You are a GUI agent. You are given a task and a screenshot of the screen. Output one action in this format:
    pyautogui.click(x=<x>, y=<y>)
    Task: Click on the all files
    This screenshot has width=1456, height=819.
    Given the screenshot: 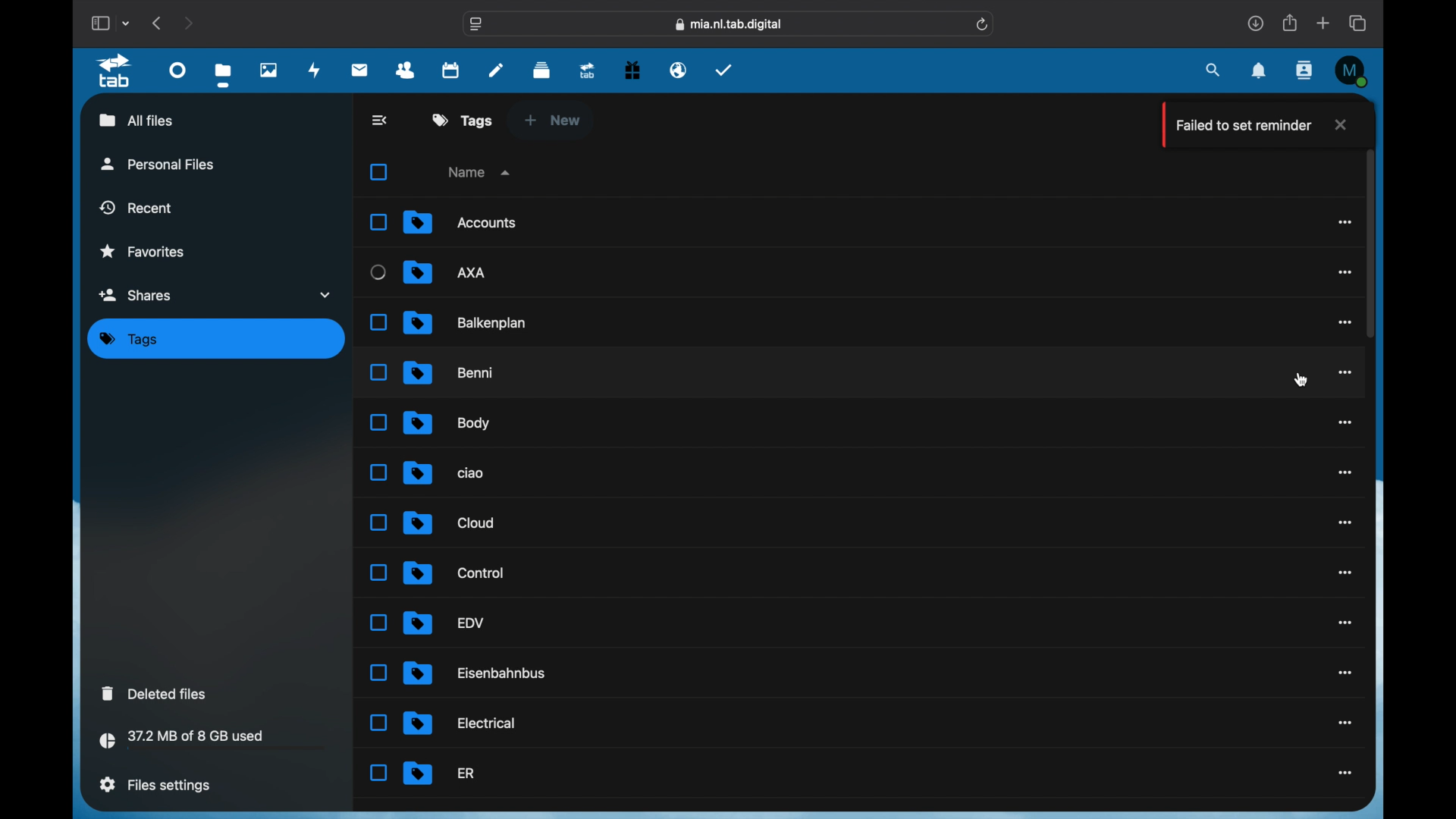 What is the action you would take?
    pyautogui.click(x=136, y=120)
    